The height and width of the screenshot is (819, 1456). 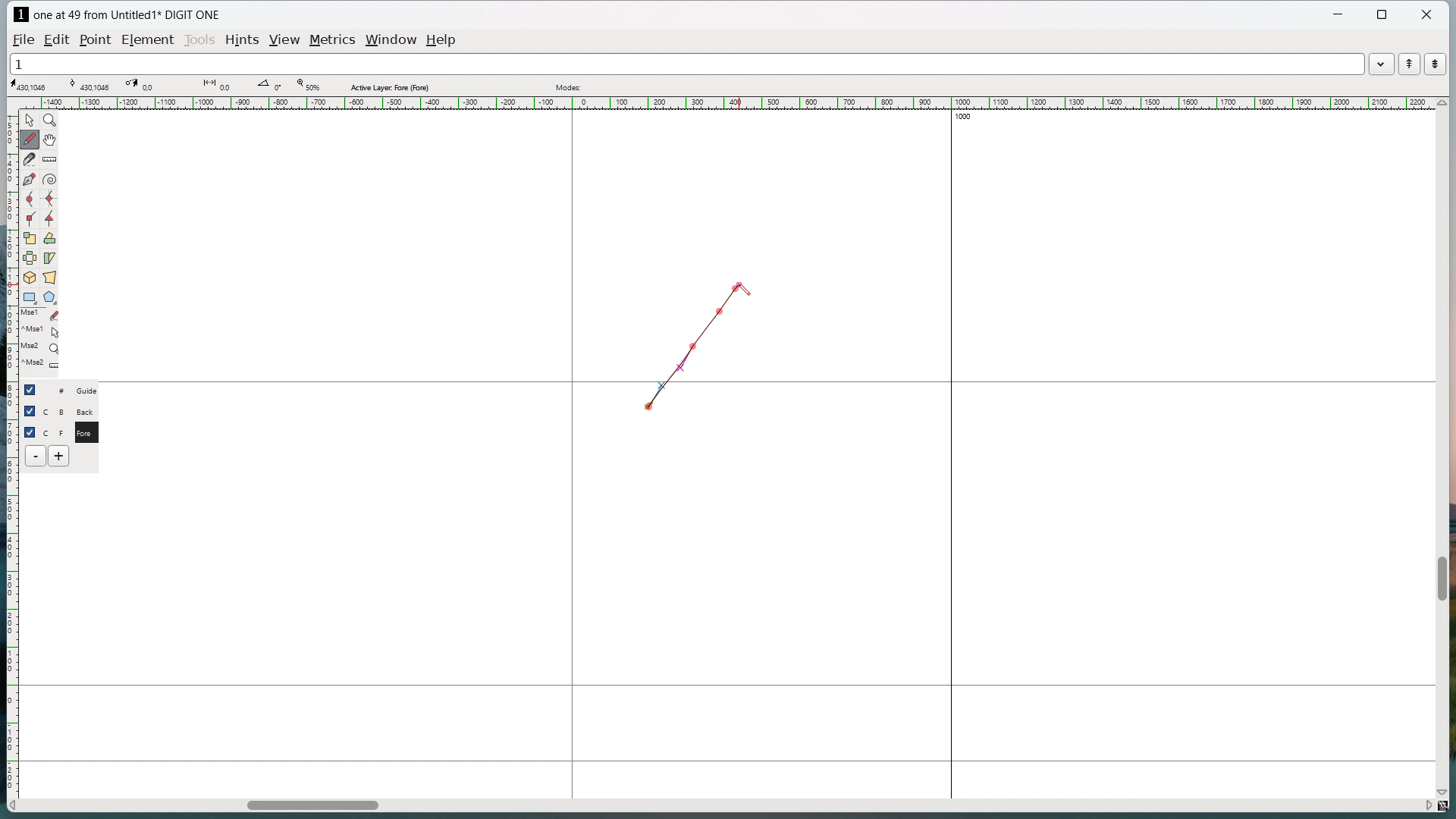 I want to click on Cursor, so click(x=746, y=288).